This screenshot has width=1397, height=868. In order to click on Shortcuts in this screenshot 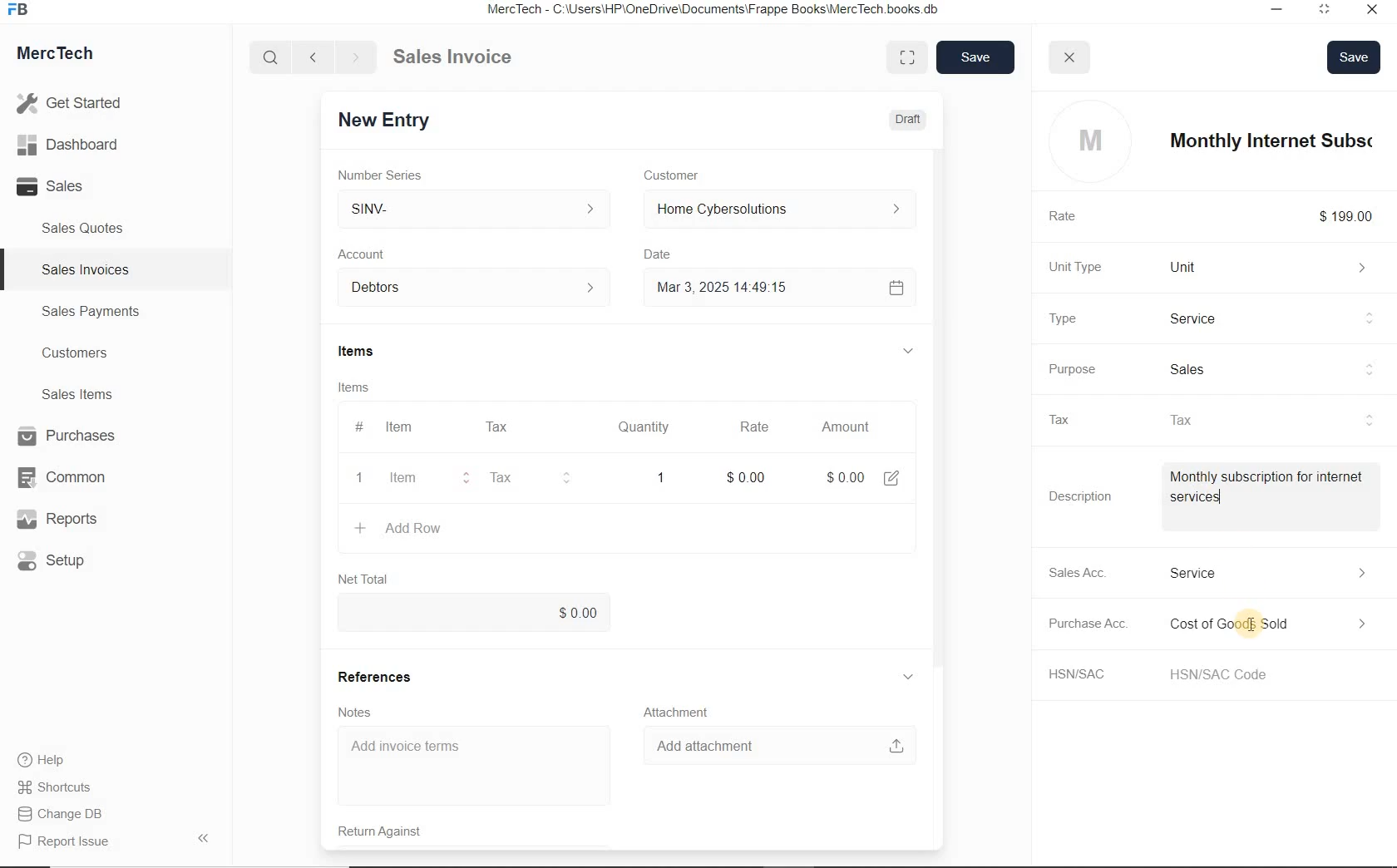, I will do `click(62, 788)`.